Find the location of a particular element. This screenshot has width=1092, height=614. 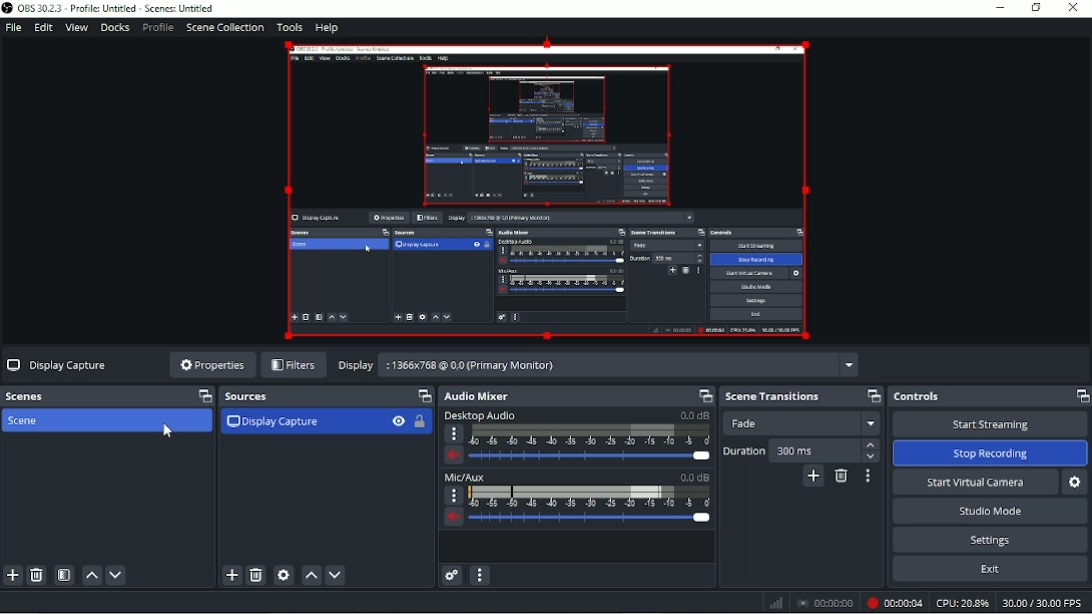

Slider is located at coordinates (593, 520).